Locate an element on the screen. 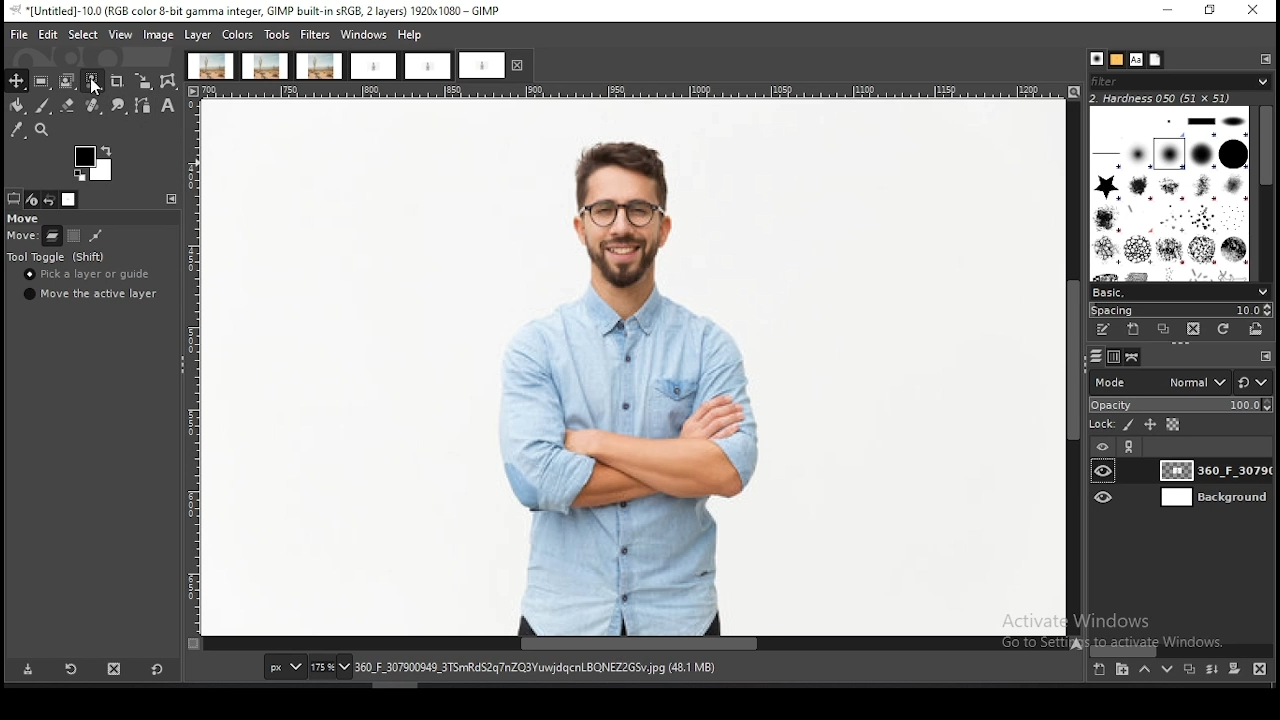 This screenshot has height=720, width=1280. merge layers is located at coordinates (1212, 668).